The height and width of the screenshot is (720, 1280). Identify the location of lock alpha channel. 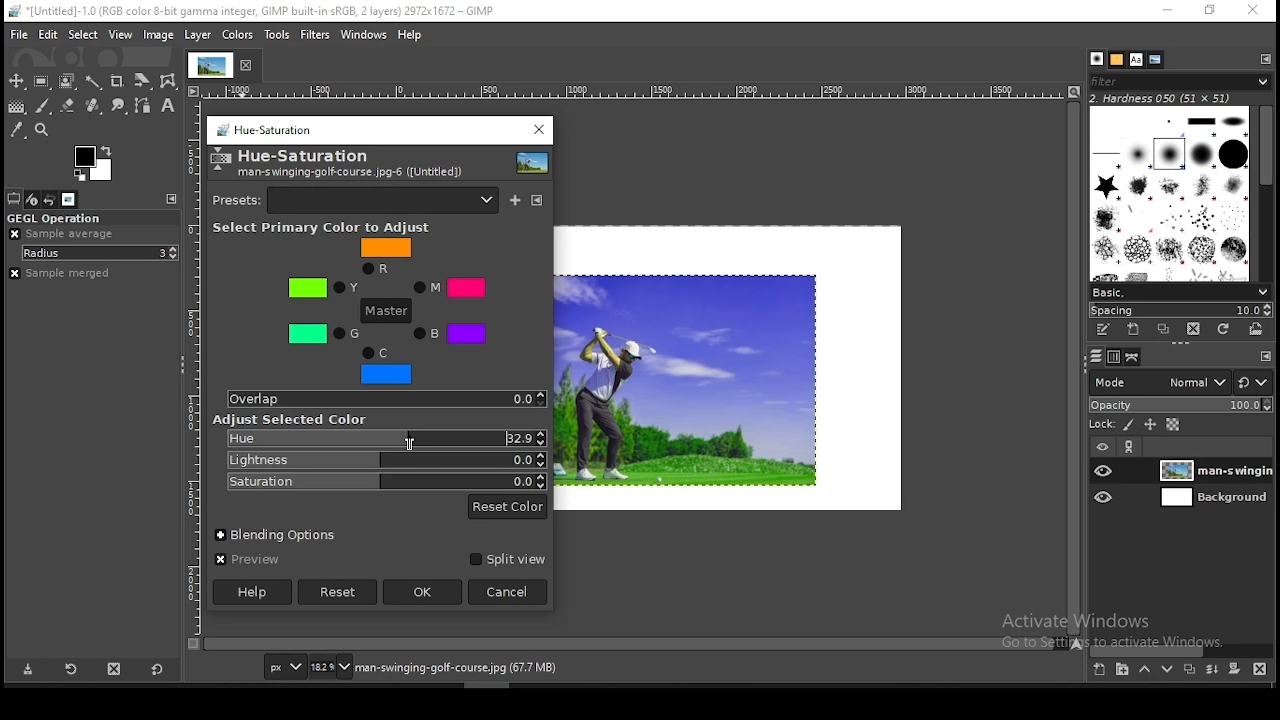
(1173, 423).